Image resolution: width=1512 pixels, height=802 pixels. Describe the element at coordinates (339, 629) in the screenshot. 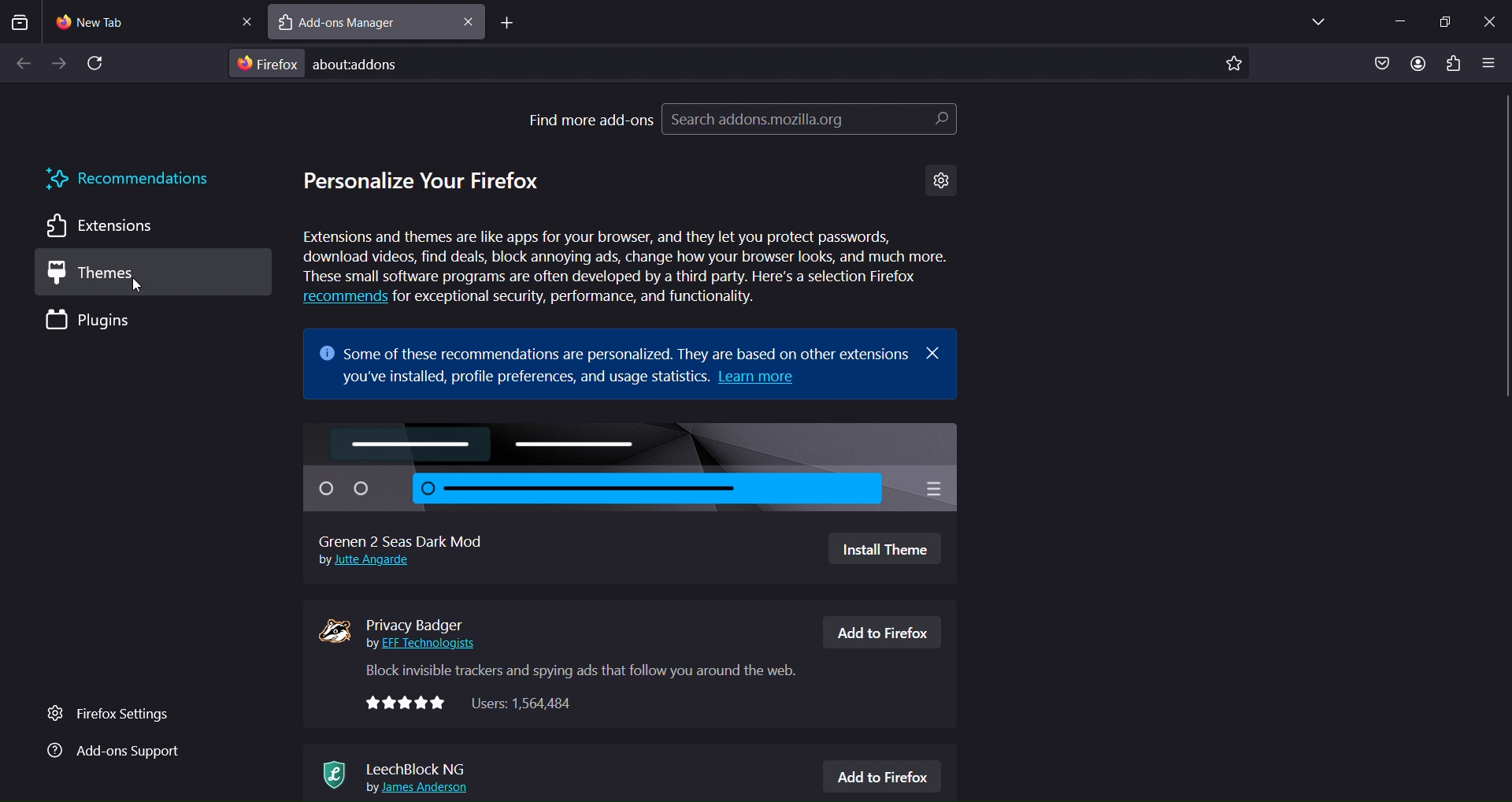

I see `privaate badger icon` at that location.